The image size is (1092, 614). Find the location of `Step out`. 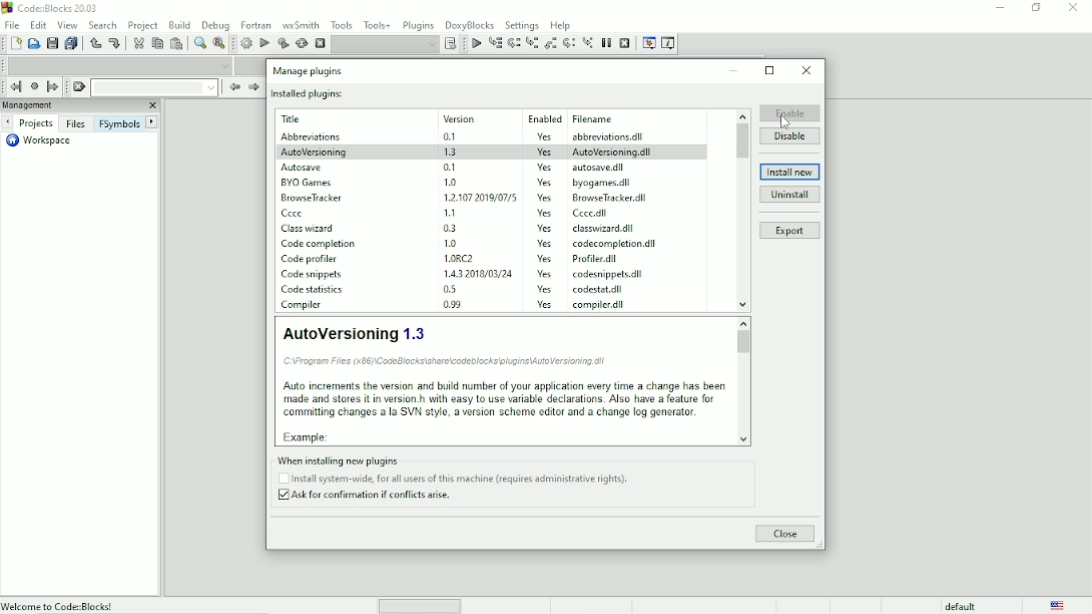

Step out is located at coordinates (549, 44).